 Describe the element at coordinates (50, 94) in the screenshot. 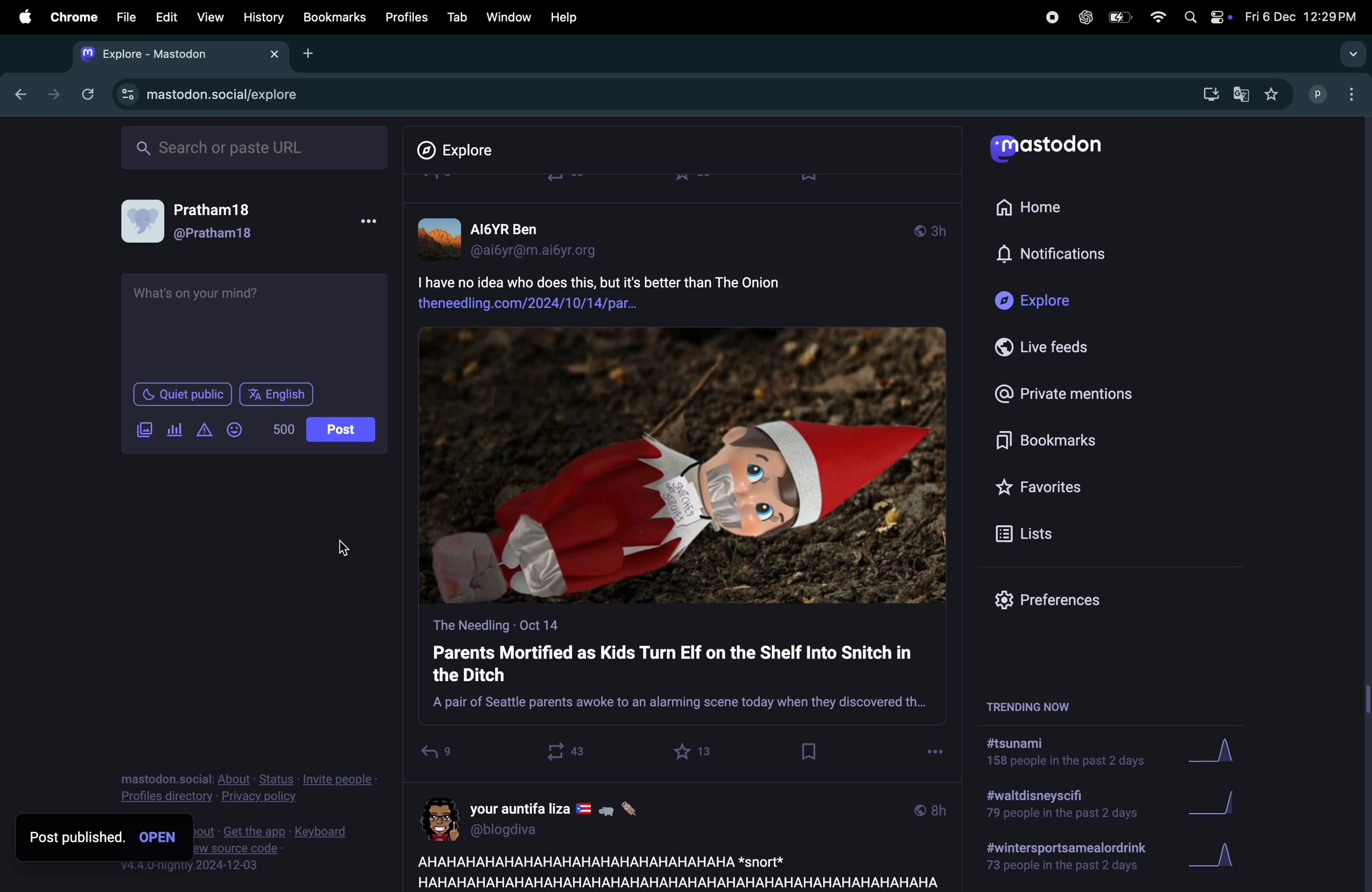

I see `forward` at that location.